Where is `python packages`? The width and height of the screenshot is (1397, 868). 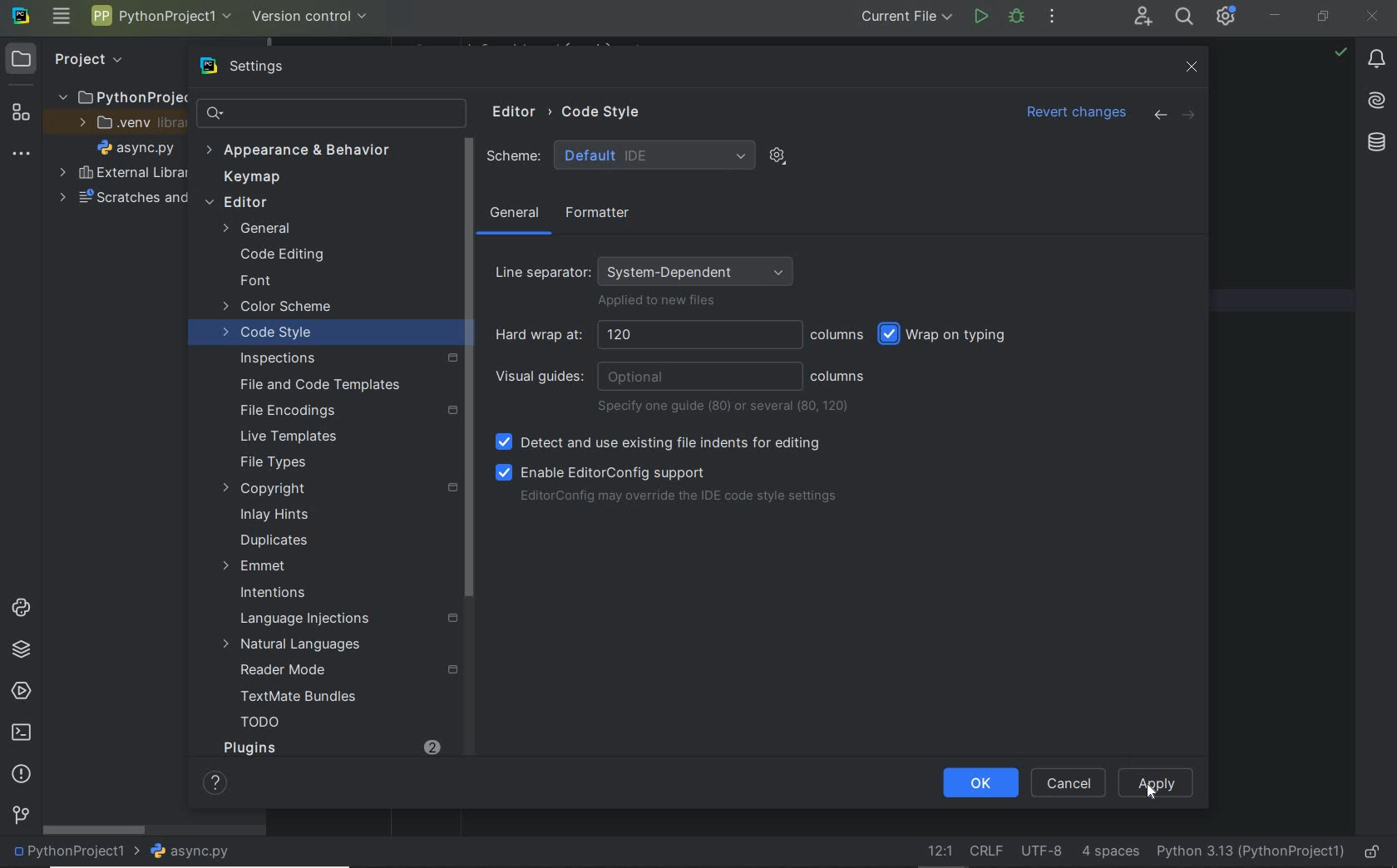 python packages is located at coordinates (21, 651).